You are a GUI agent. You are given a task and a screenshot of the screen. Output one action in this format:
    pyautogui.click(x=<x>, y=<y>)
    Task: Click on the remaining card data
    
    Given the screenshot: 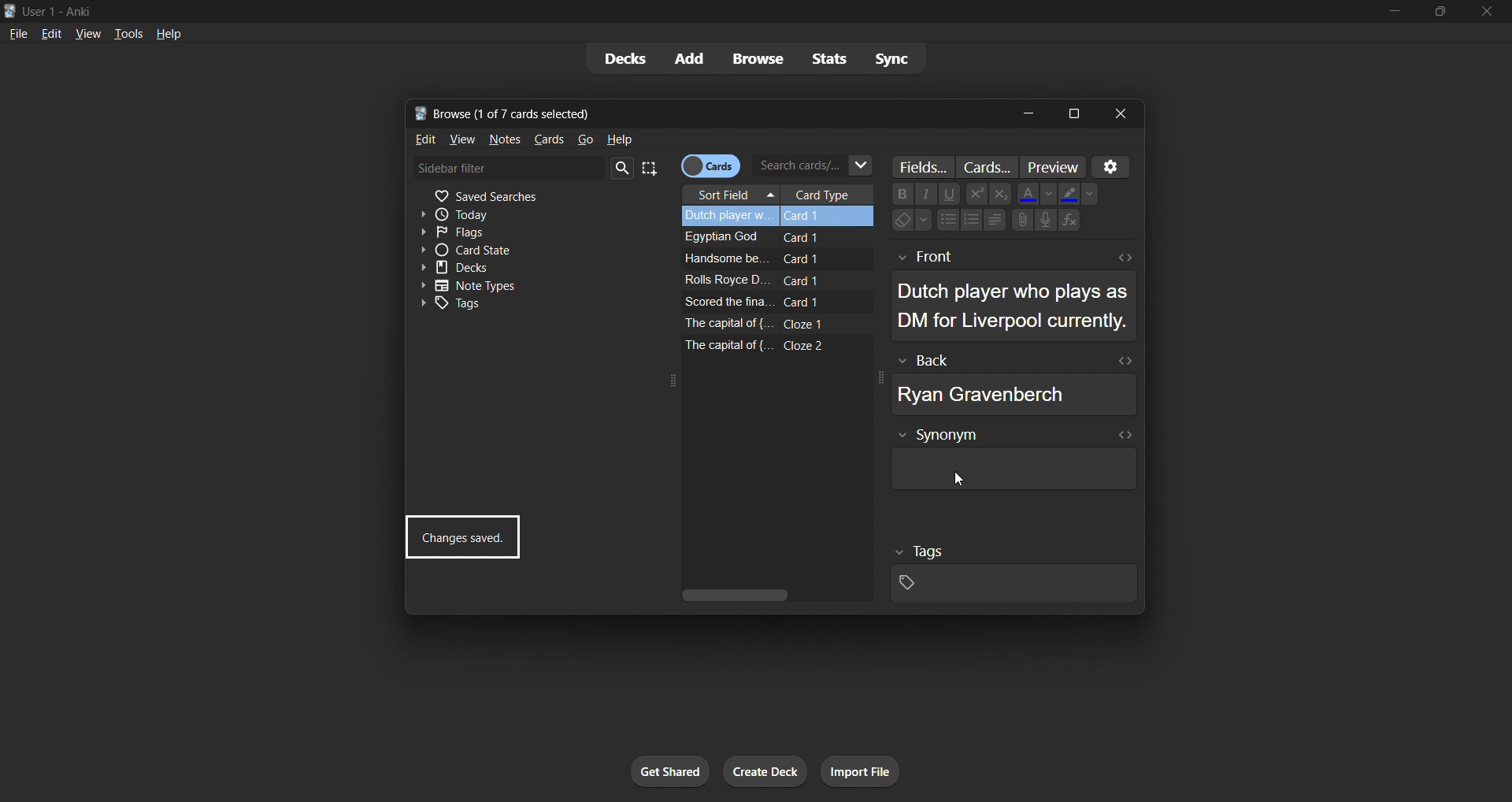 What is the action you would take?
    pyautogui.click(x=774, y=290)
    